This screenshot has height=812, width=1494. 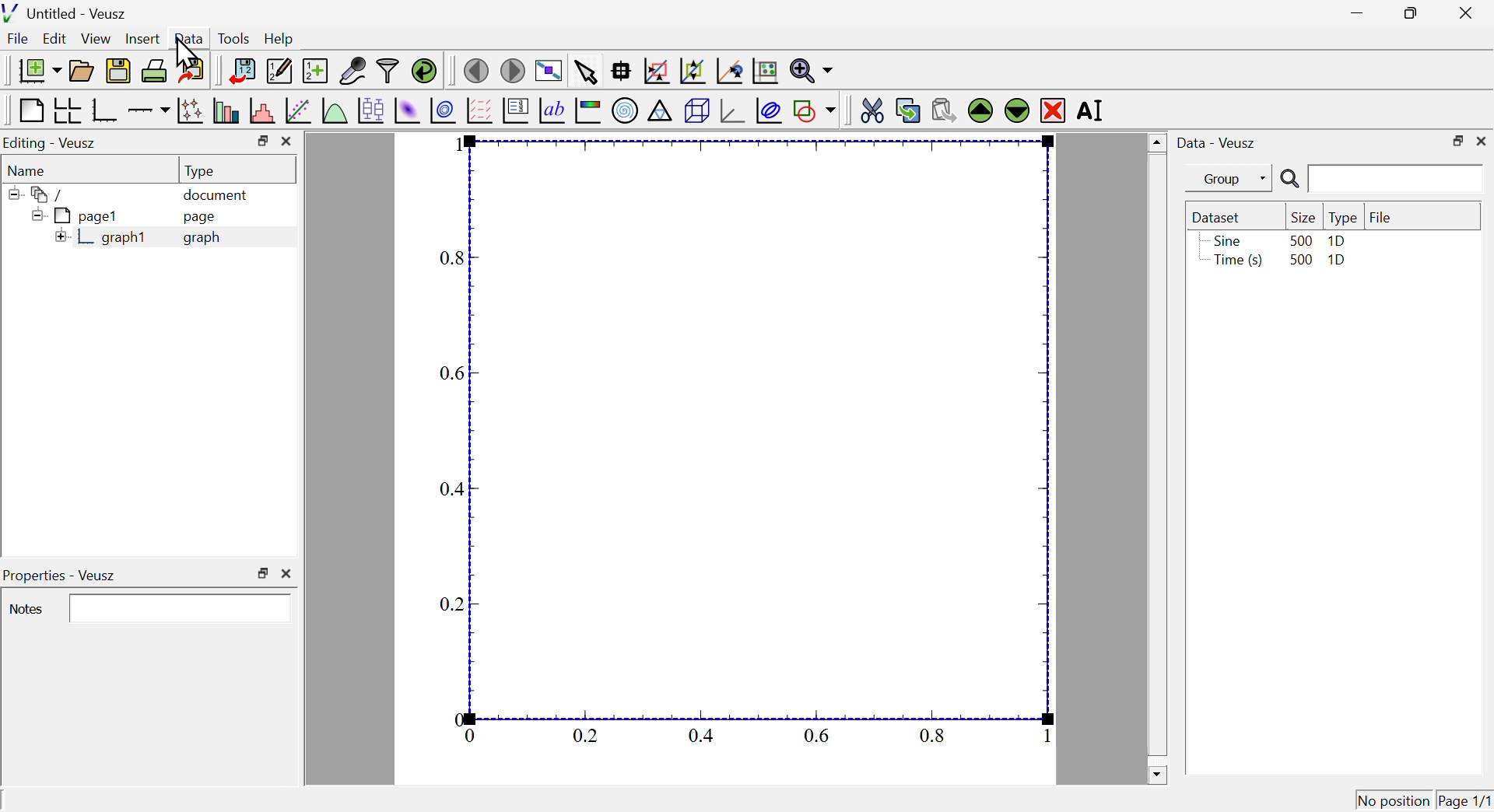 I want to click on maximize, so click(x=1407, y=14).